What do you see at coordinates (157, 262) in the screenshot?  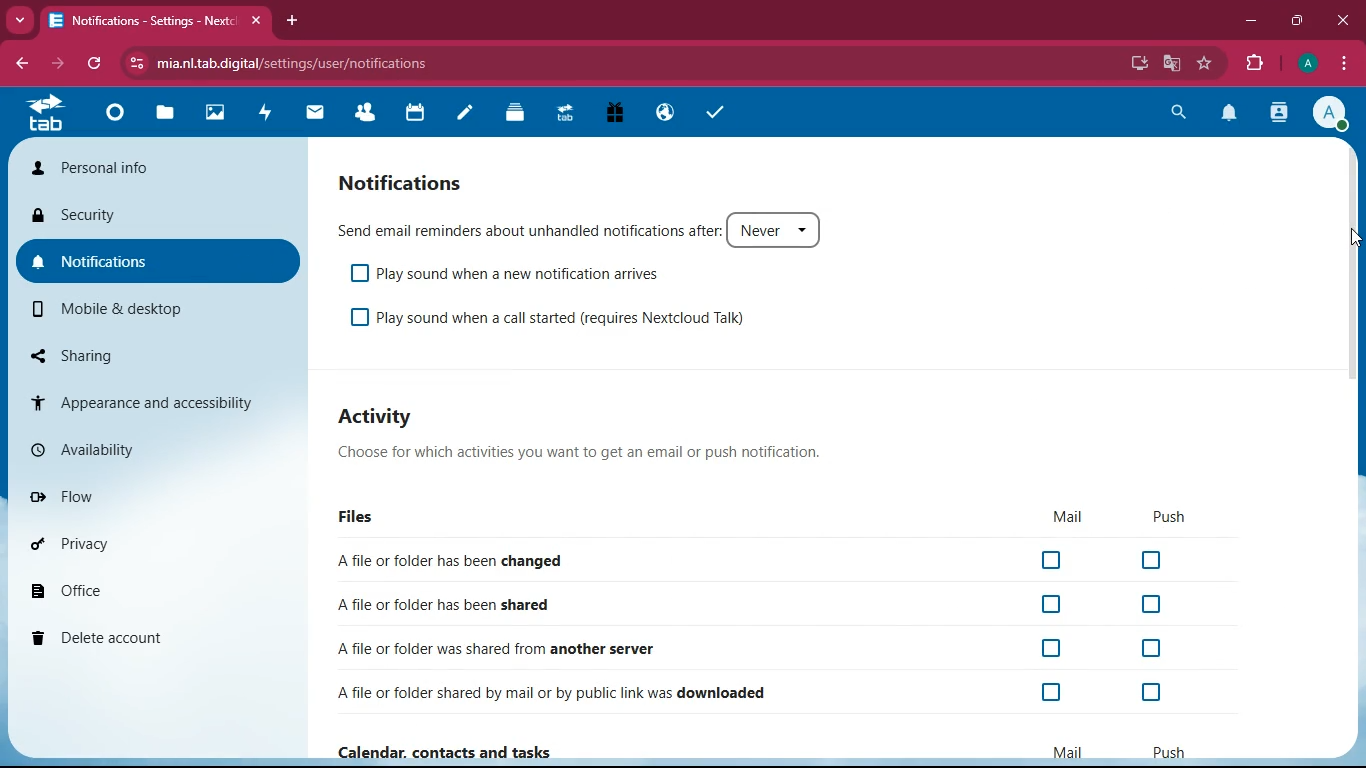 I see `notifications` at bounding box center [157, 262].